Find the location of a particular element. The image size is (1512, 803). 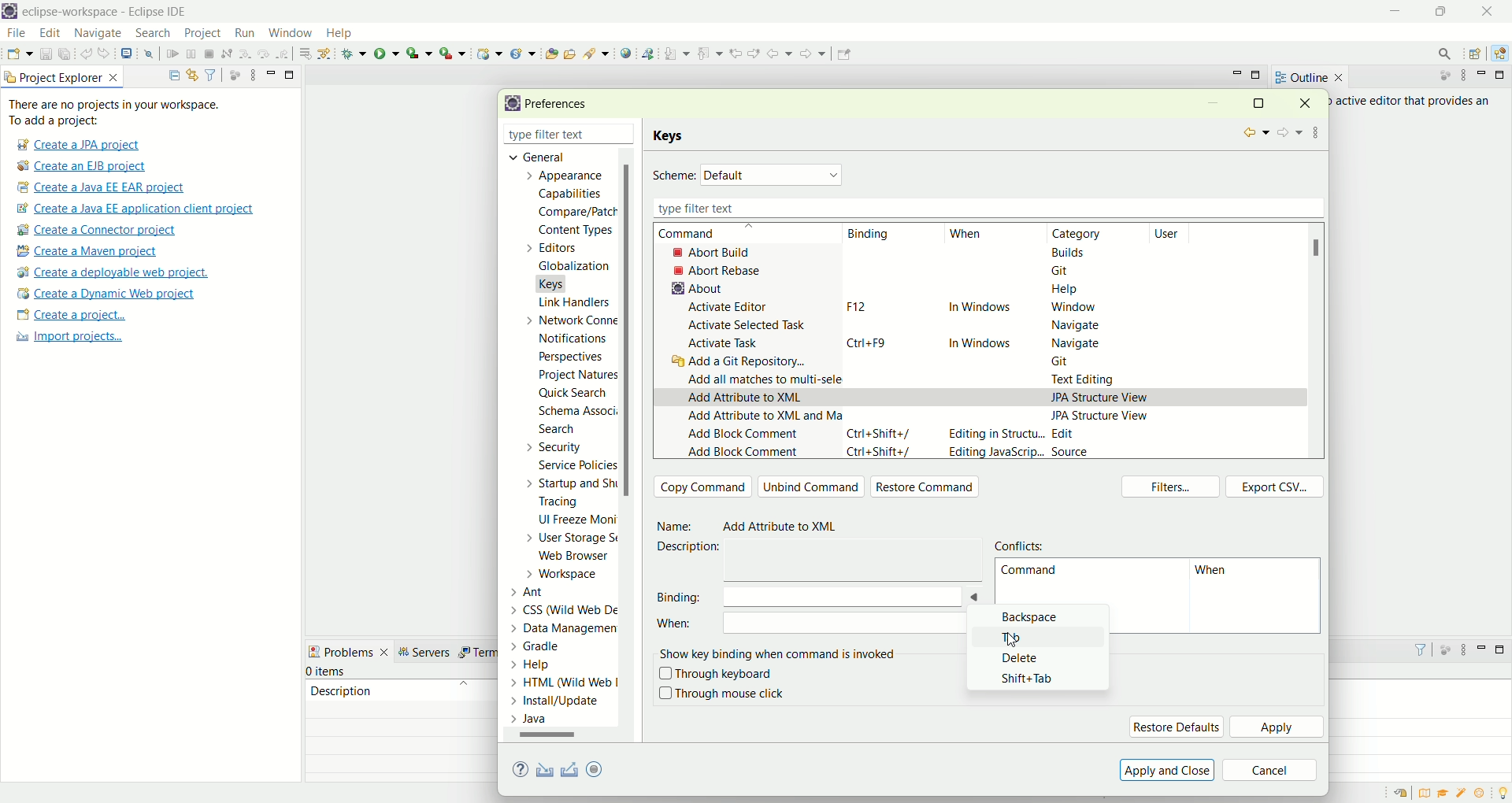

close is located at coordinates (629, 135).